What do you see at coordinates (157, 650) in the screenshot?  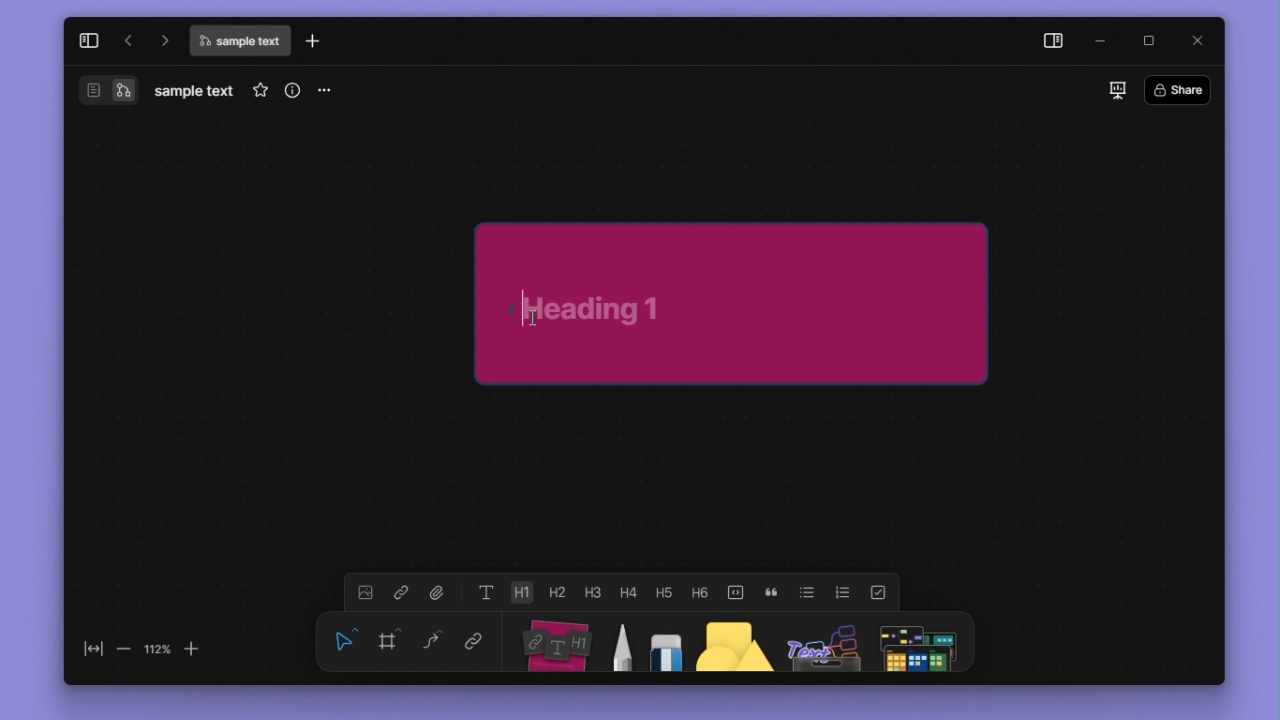 I see `112%` at bounding box center [157, 650].